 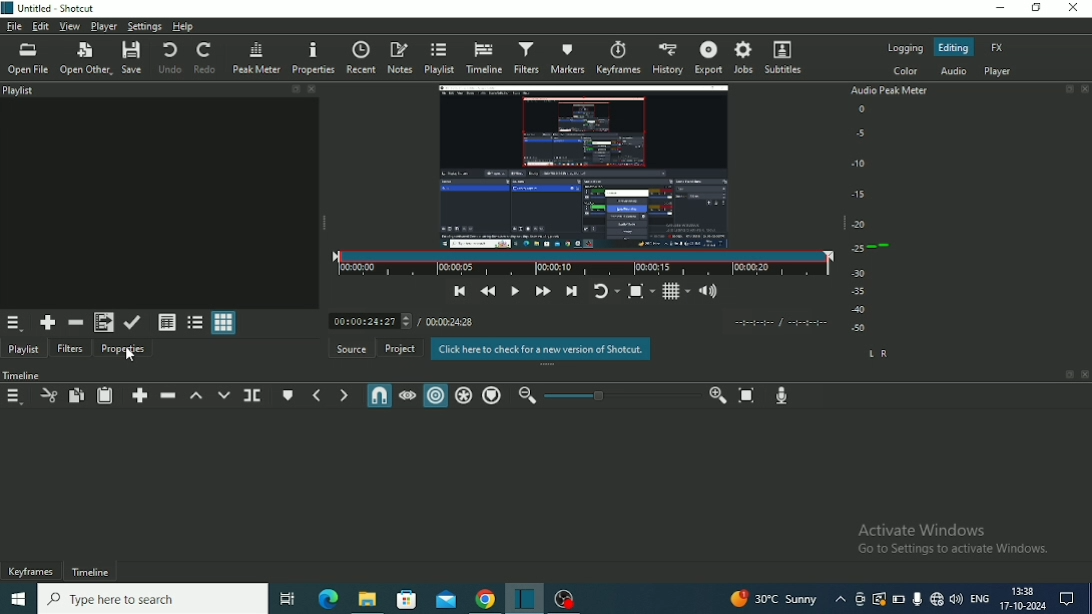 What do you see at coordinates (288, 396) in the screenshot?
I see `Create/Edit marker` at bounding box center [288, 396].